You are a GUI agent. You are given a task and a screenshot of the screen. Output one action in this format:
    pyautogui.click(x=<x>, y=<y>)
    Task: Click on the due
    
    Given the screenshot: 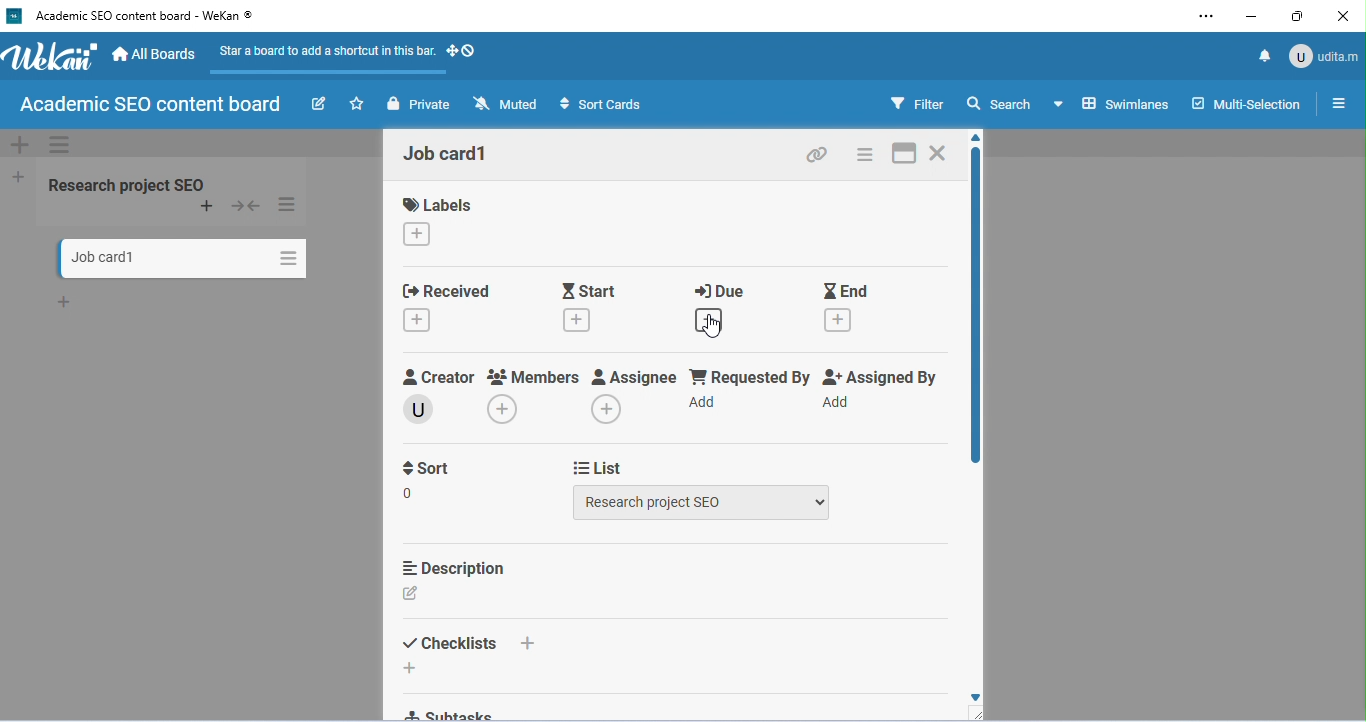 What is the action you would take?
    pyautogui.click(x=720, y=289)
    